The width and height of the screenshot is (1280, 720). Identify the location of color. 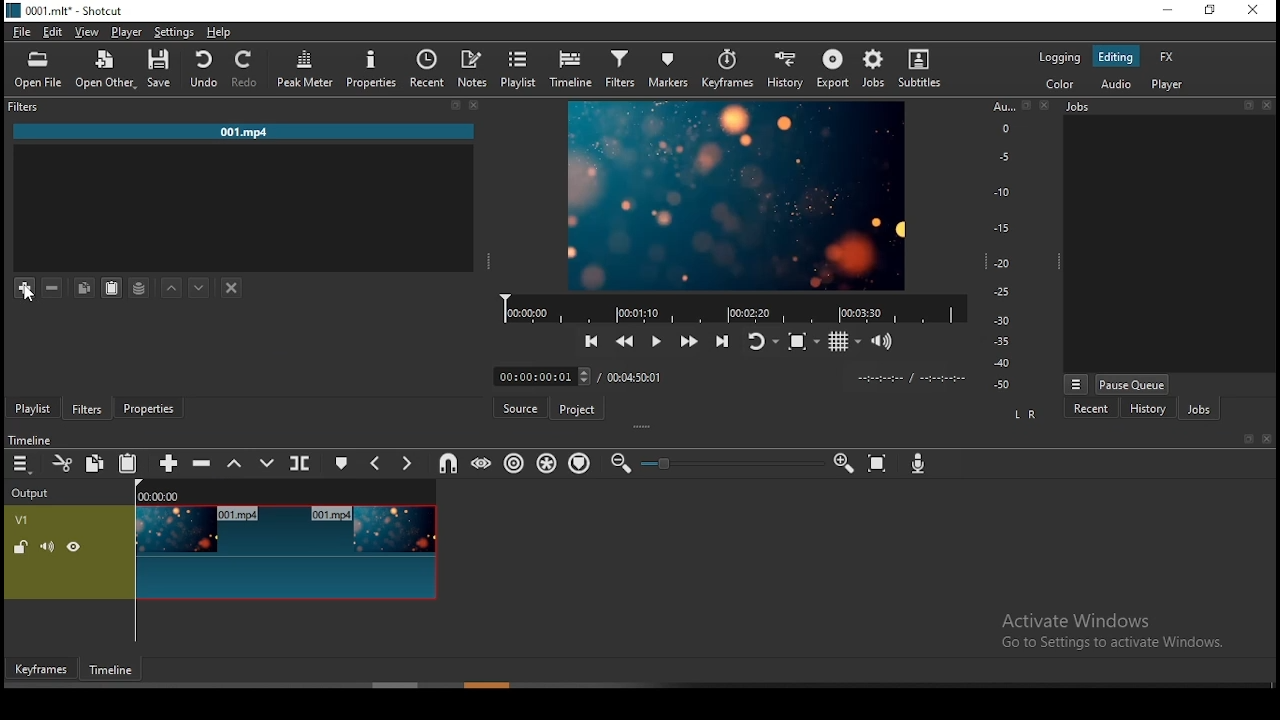
(1056, 84).